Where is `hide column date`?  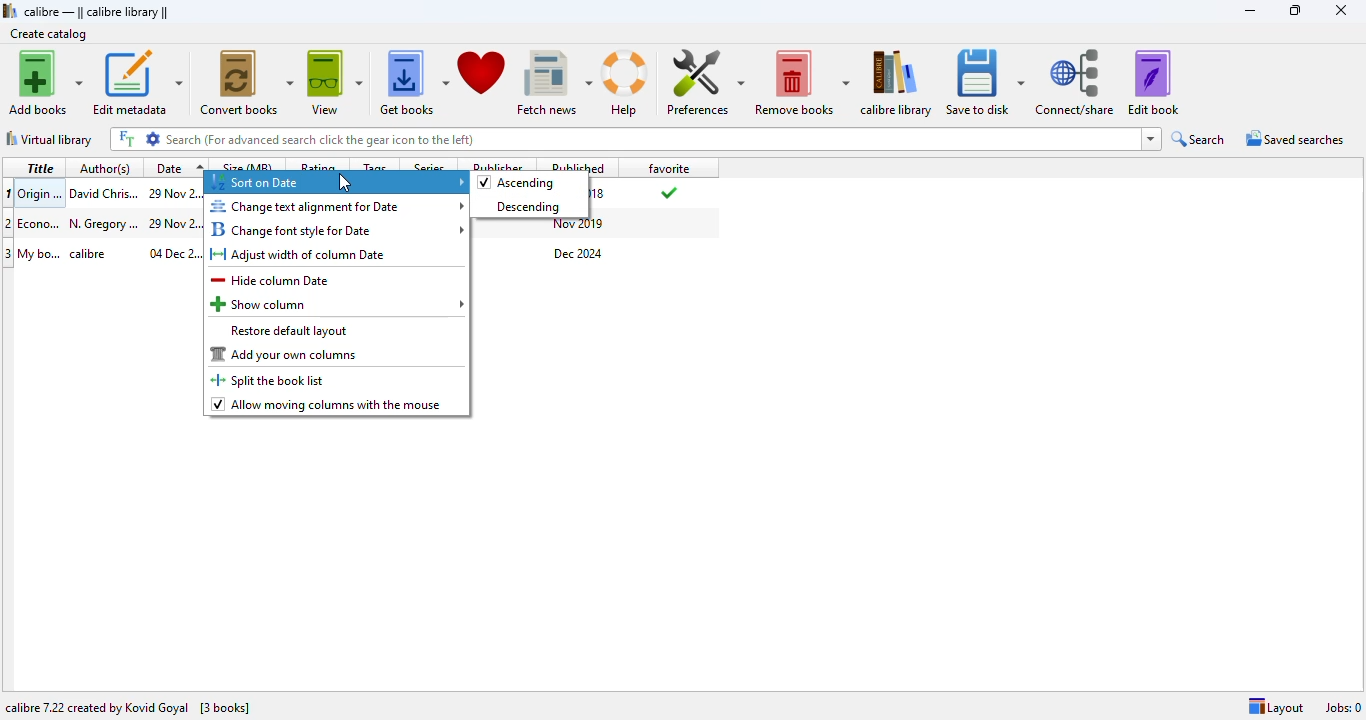
hide column date is located at coordinates (271, 280).